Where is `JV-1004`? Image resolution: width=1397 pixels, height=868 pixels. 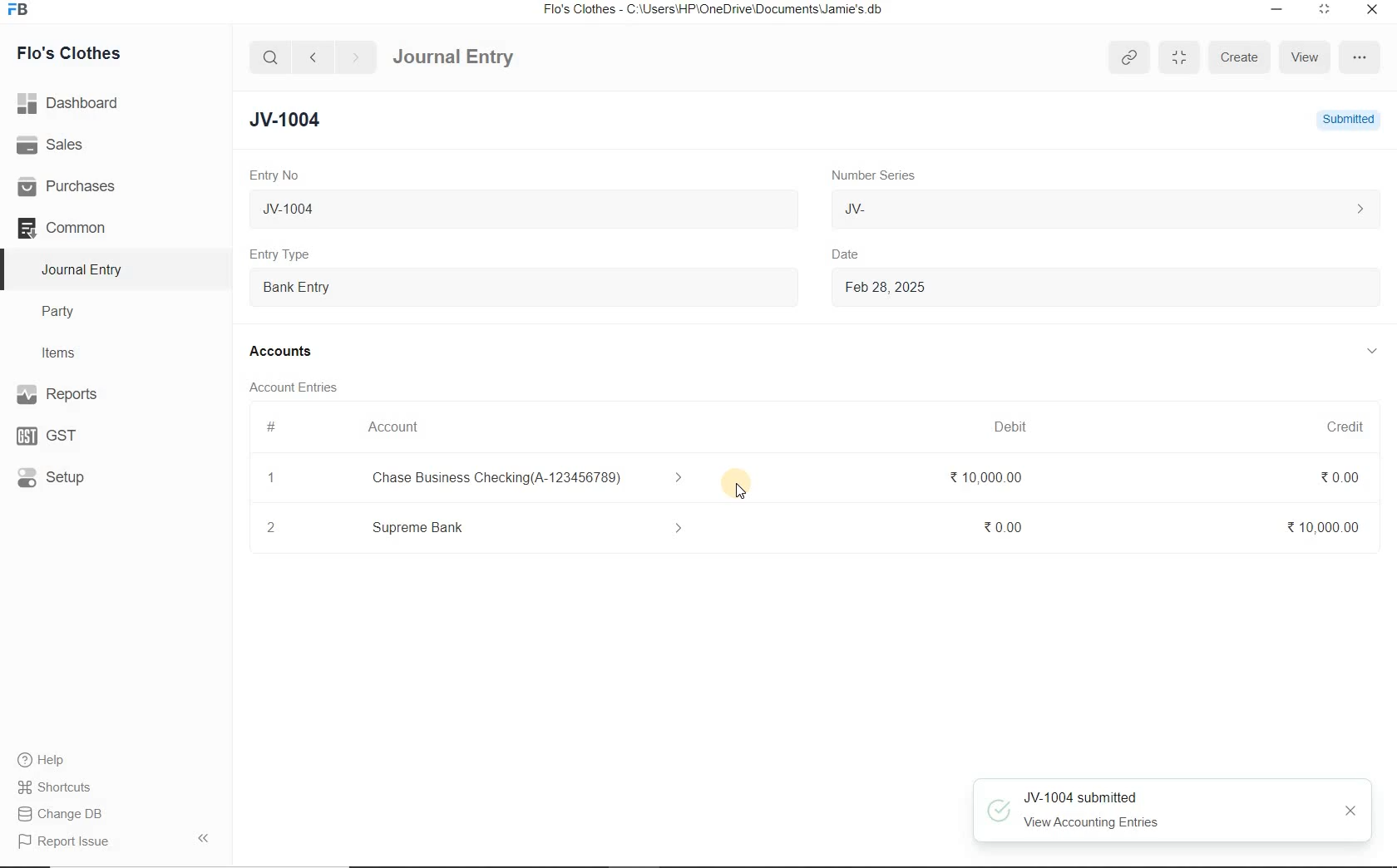
JV-1004 is located at coordinates (299, 119).